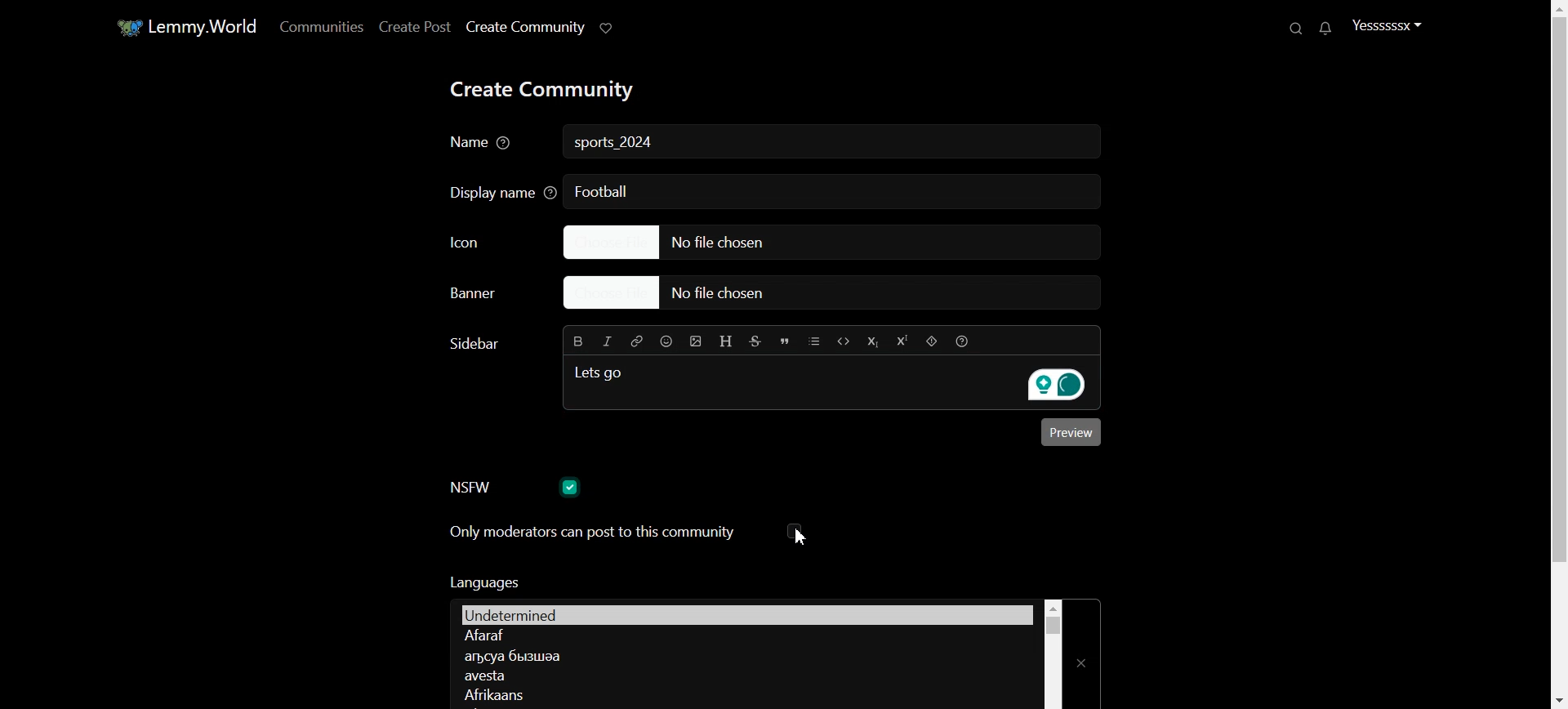 The height and width of the screenshot is (709, 1568). I want to click on , so click(544, 91).